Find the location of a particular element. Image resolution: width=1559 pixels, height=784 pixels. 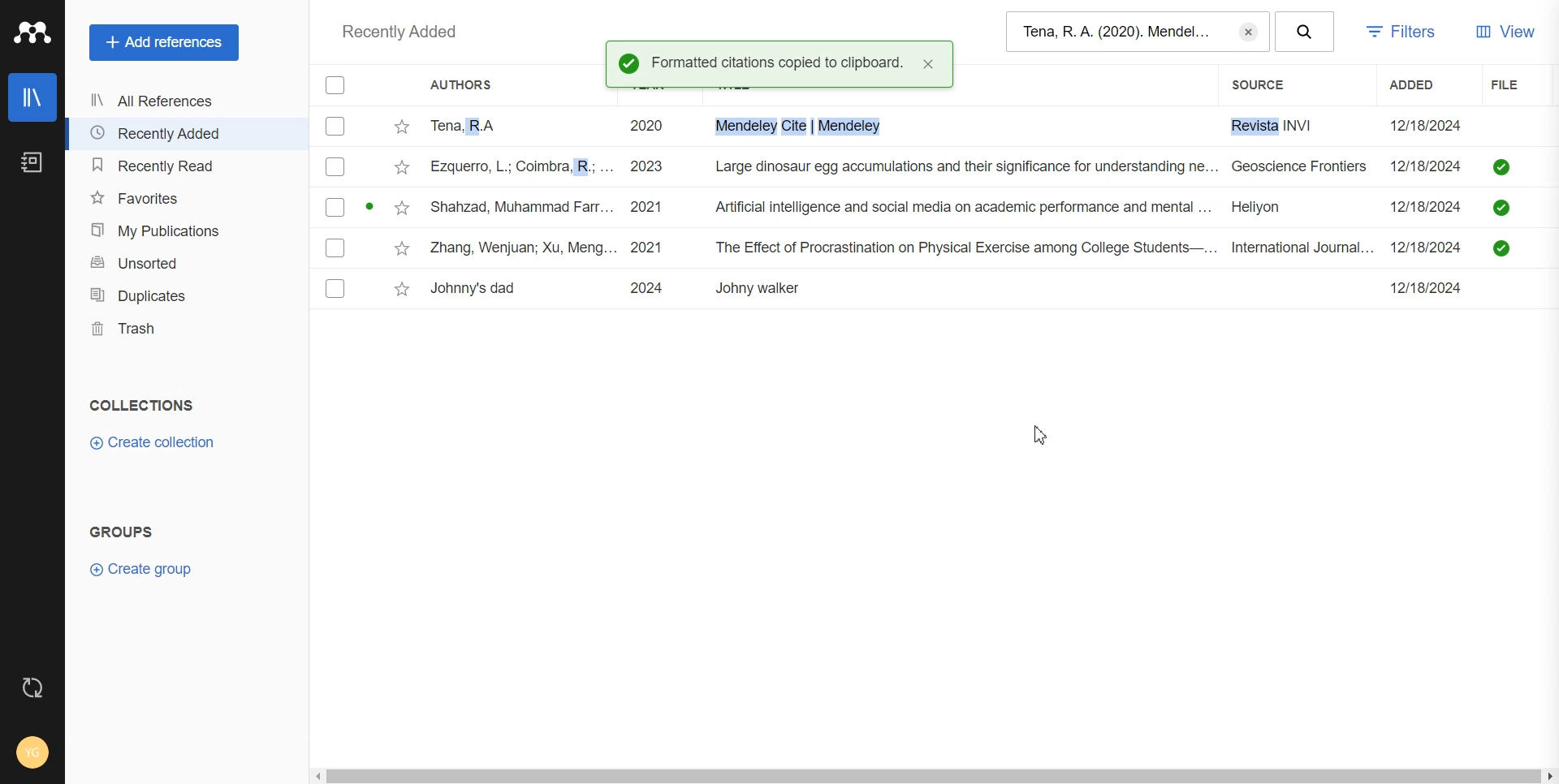

saved is located at coordinates (1502, 207).